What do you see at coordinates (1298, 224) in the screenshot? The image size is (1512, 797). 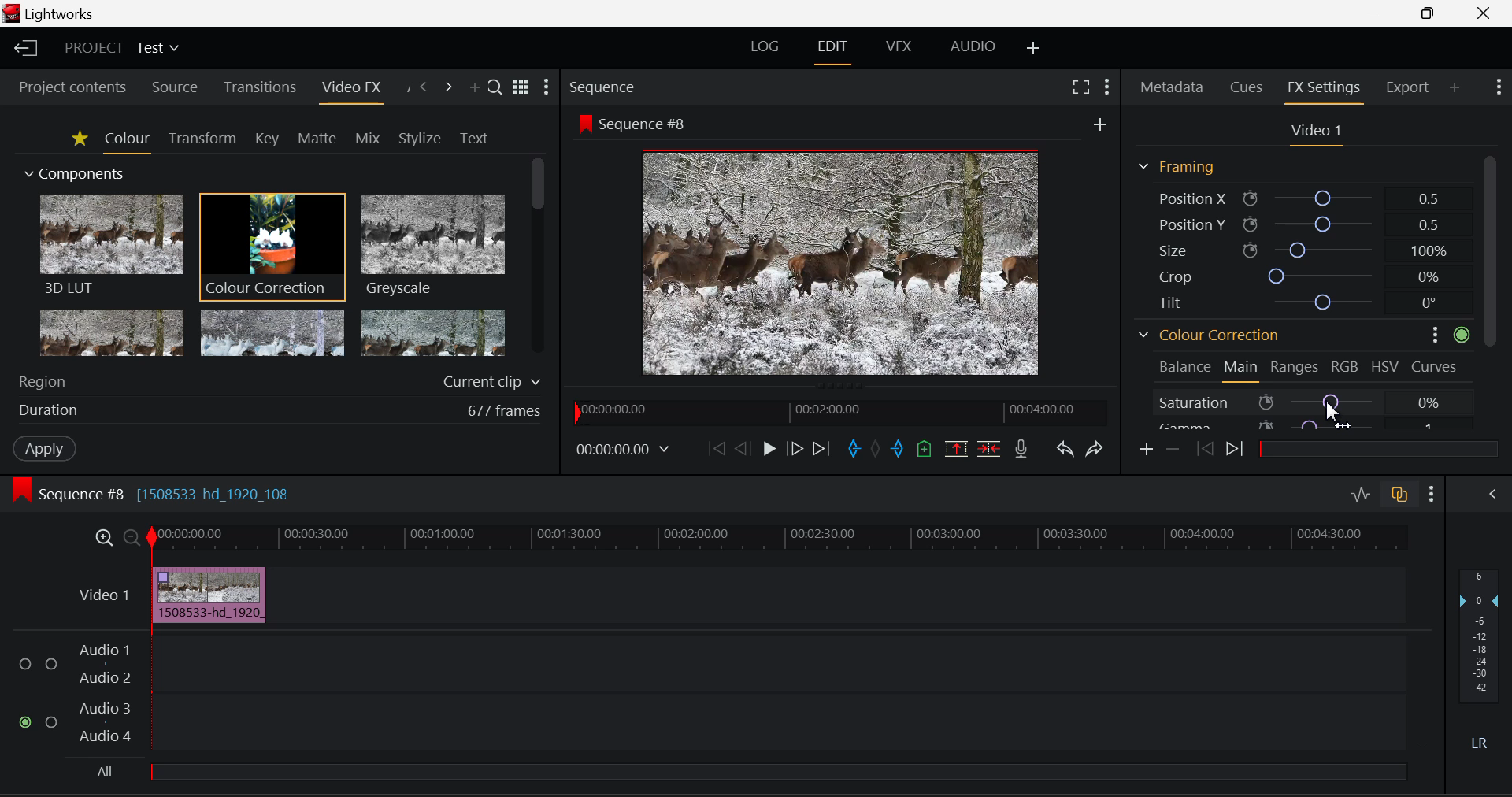 I see `Position Y` at bounding box center [1298, 224].